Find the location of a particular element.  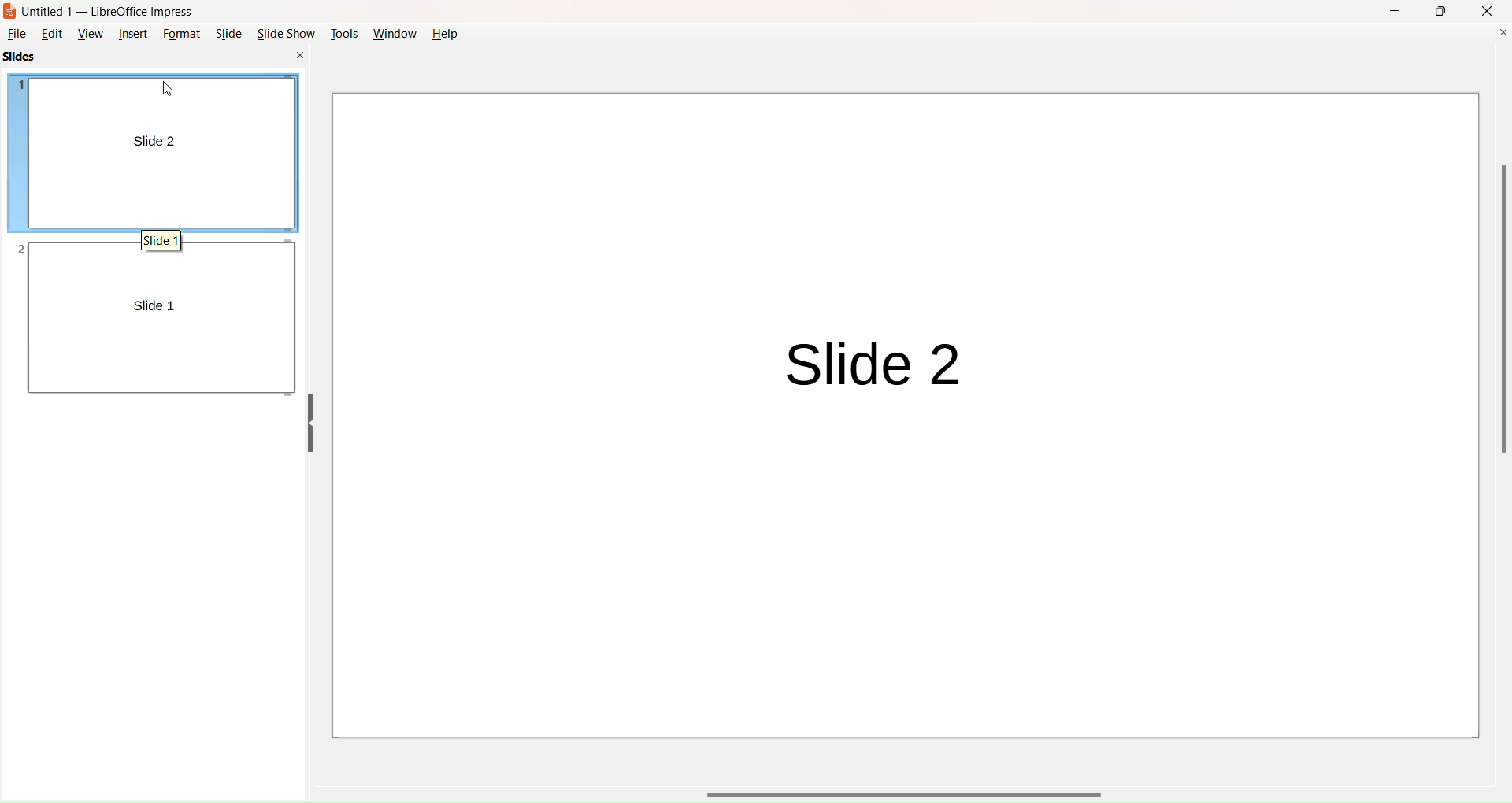

slide number is located at coordinates (22, 250).